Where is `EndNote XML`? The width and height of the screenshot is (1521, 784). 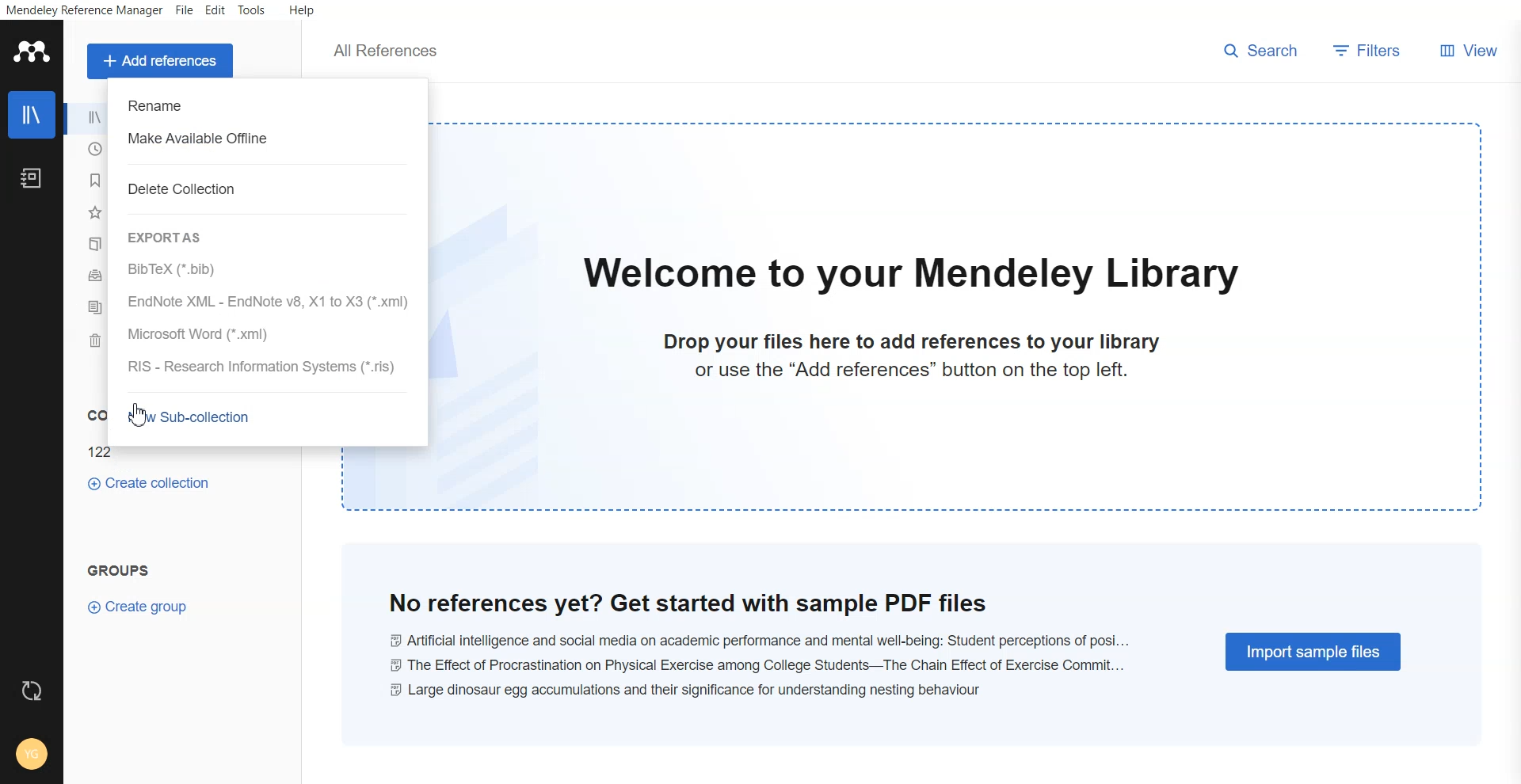
EndNote XML is located at coordinates (264, 302).